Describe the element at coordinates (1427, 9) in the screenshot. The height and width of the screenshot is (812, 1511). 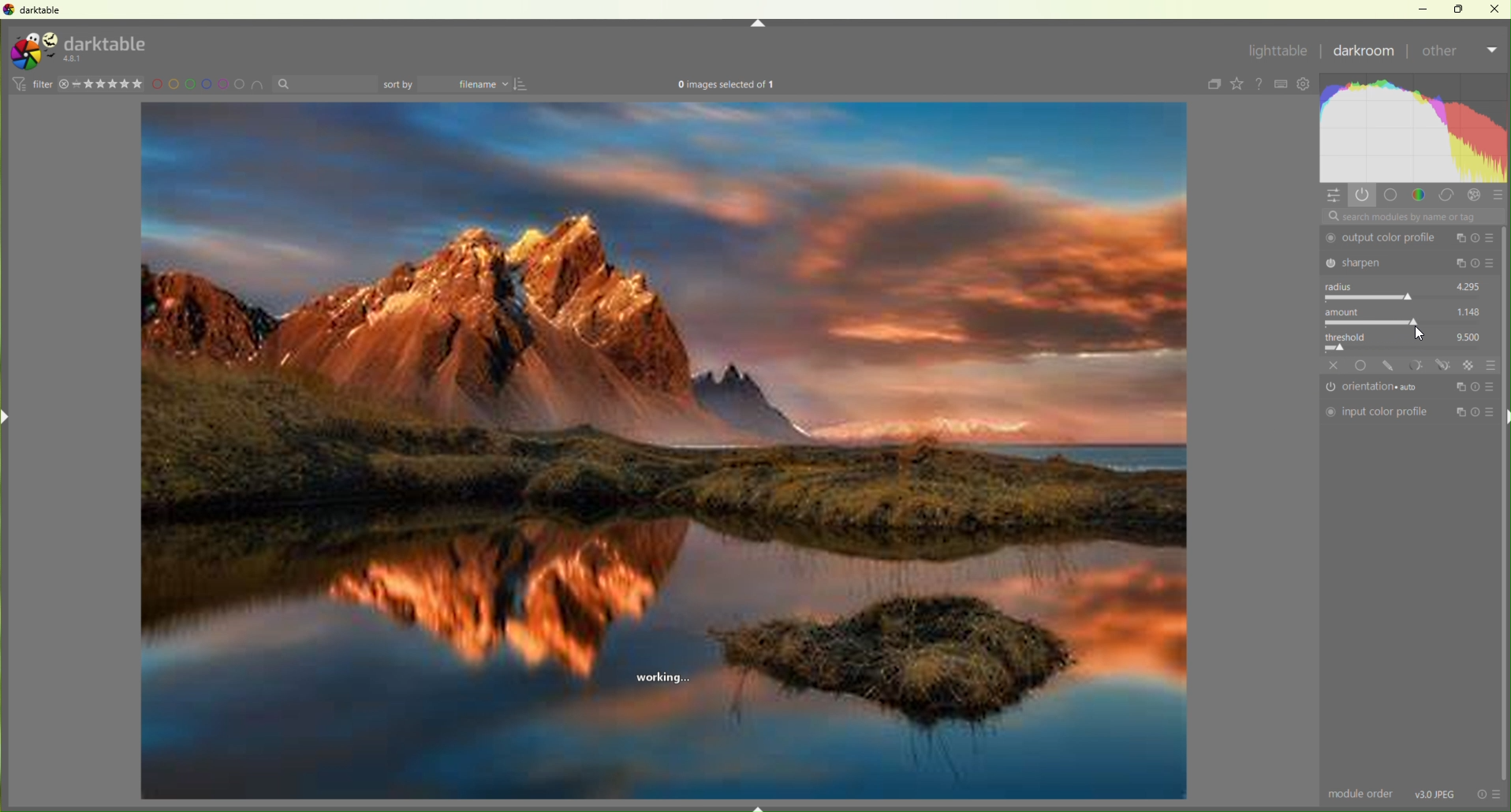
I see `Minimise` at that location.